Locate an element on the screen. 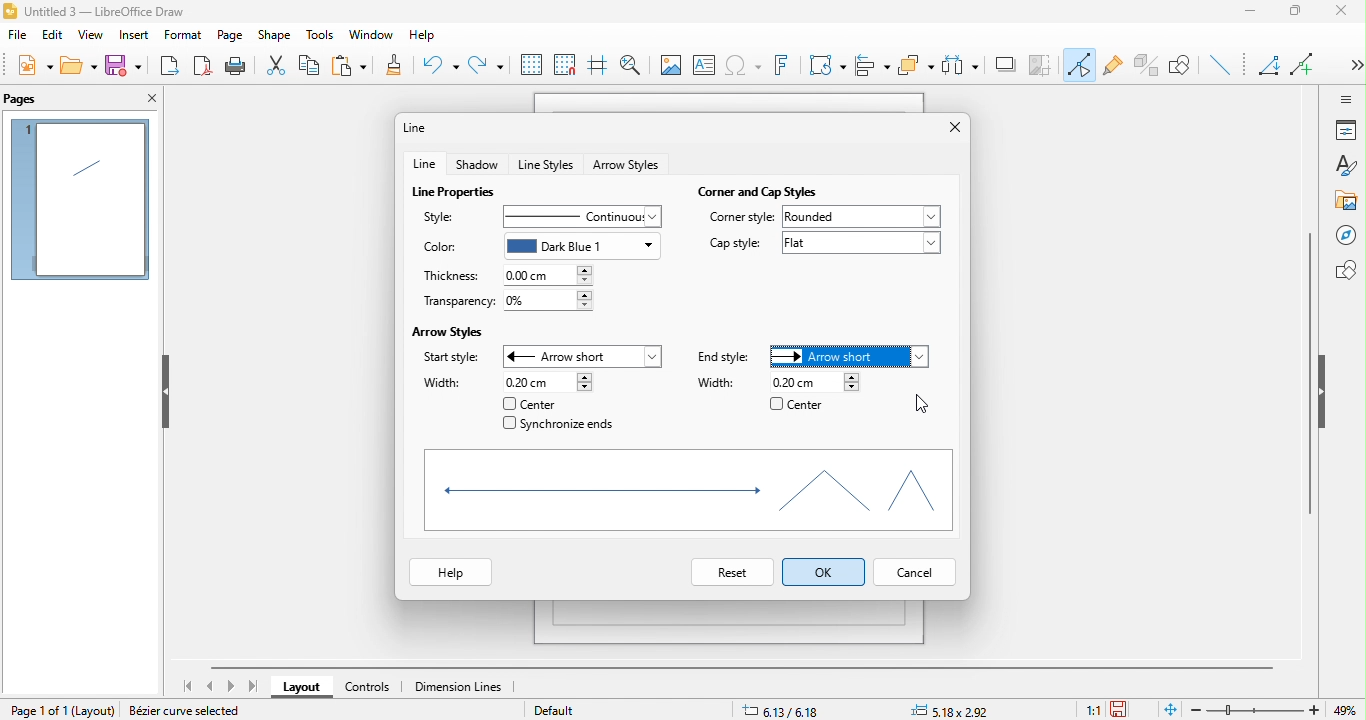  tools is located at coordinates (315, 34).